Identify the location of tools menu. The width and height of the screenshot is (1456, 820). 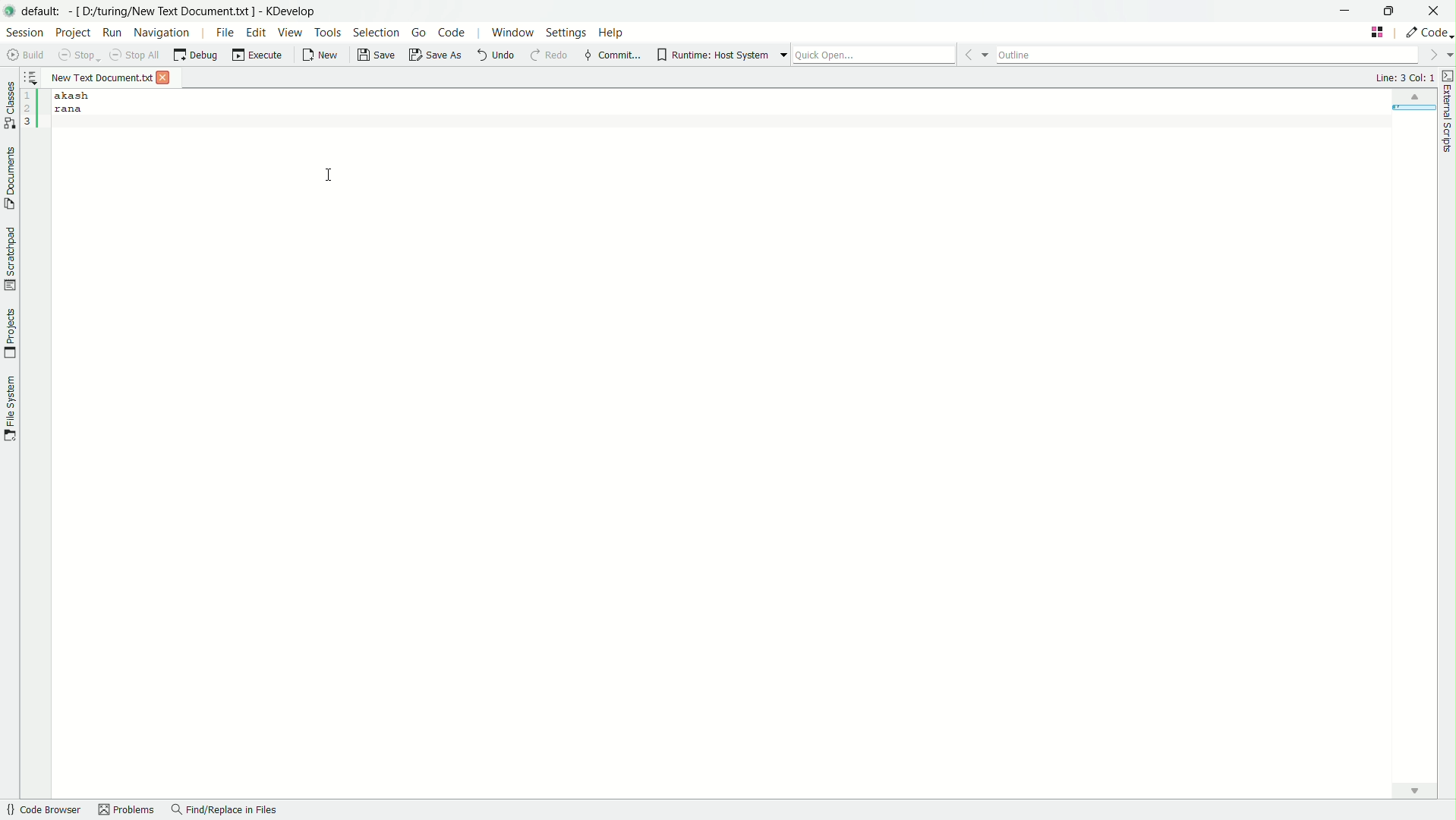
(328, 32).